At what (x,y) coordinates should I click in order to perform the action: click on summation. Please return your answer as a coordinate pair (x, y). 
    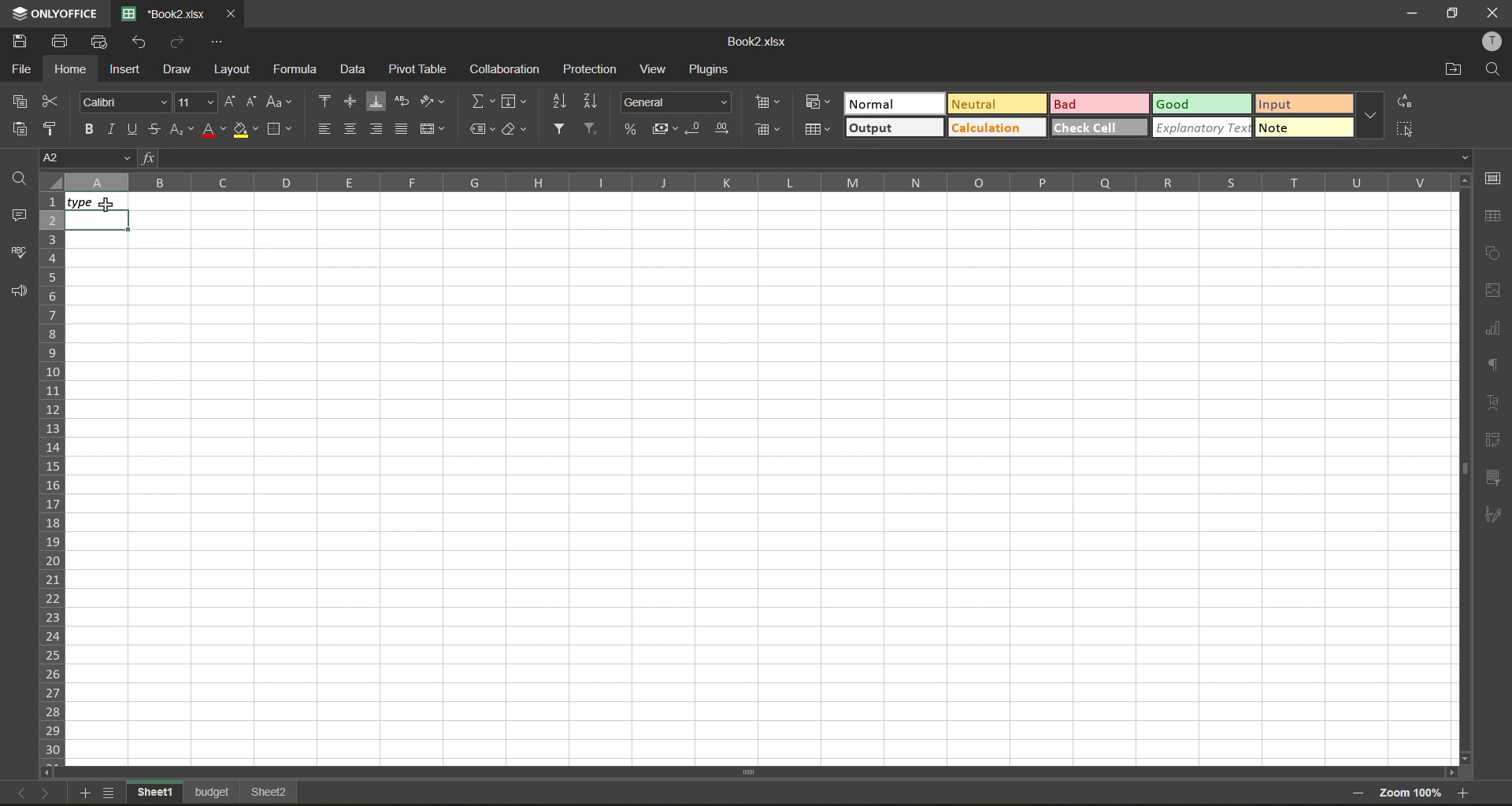
    Looking at the image, I should click on (478, 102).